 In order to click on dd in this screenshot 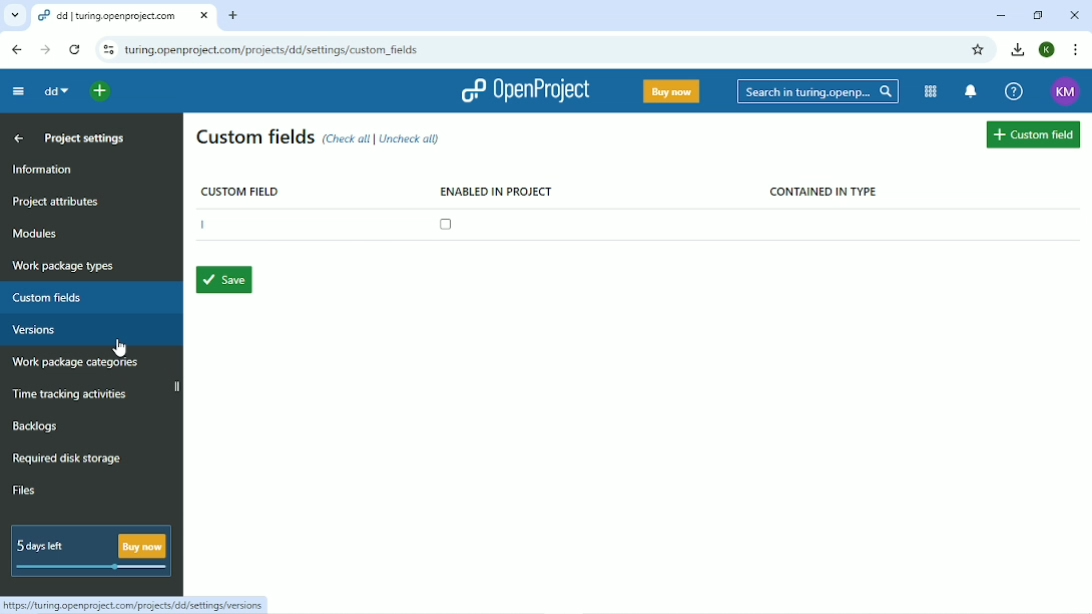, I will do `click(57, 90)`.